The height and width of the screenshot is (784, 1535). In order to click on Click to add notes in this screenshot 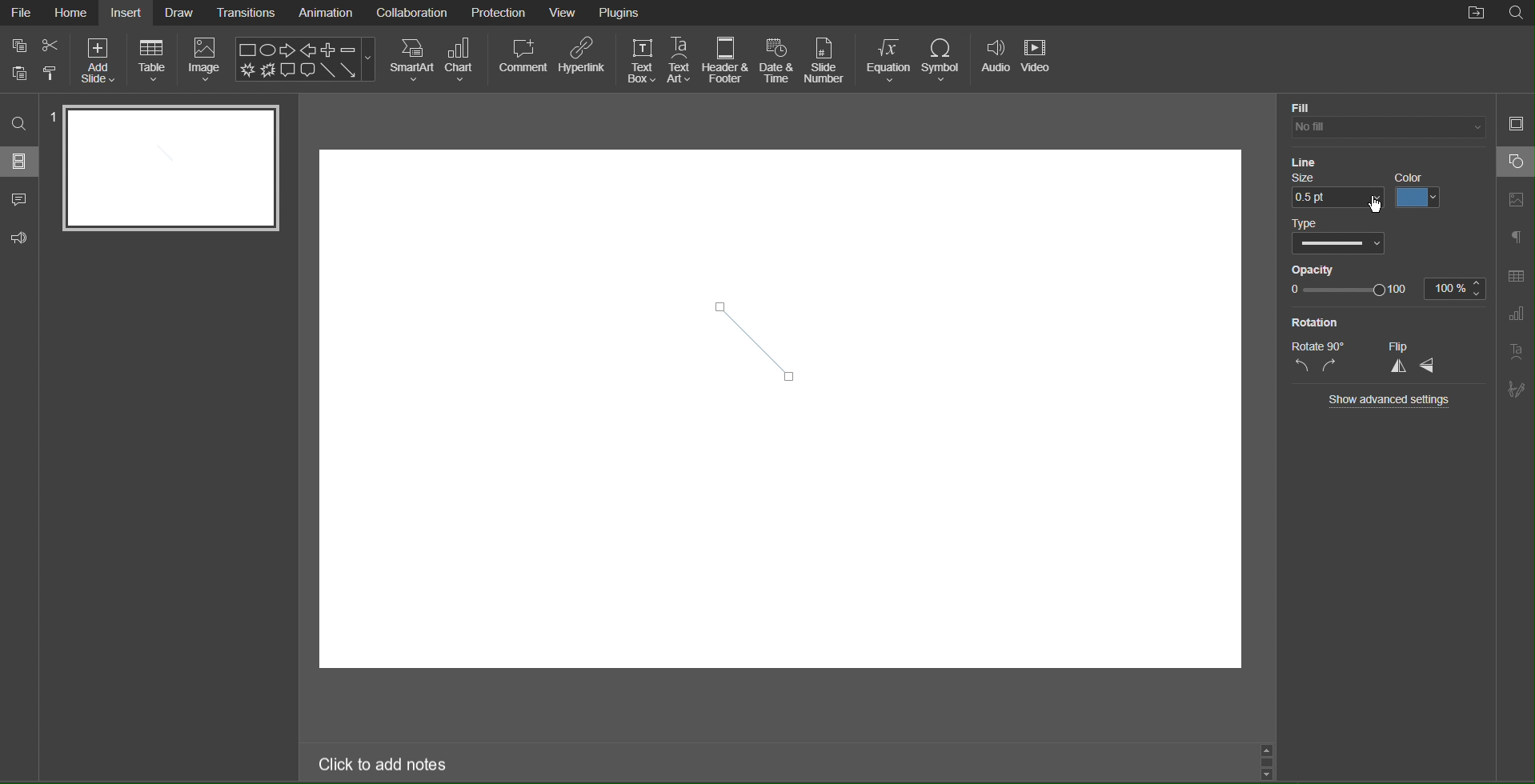, I will do `click(384, 766)`.